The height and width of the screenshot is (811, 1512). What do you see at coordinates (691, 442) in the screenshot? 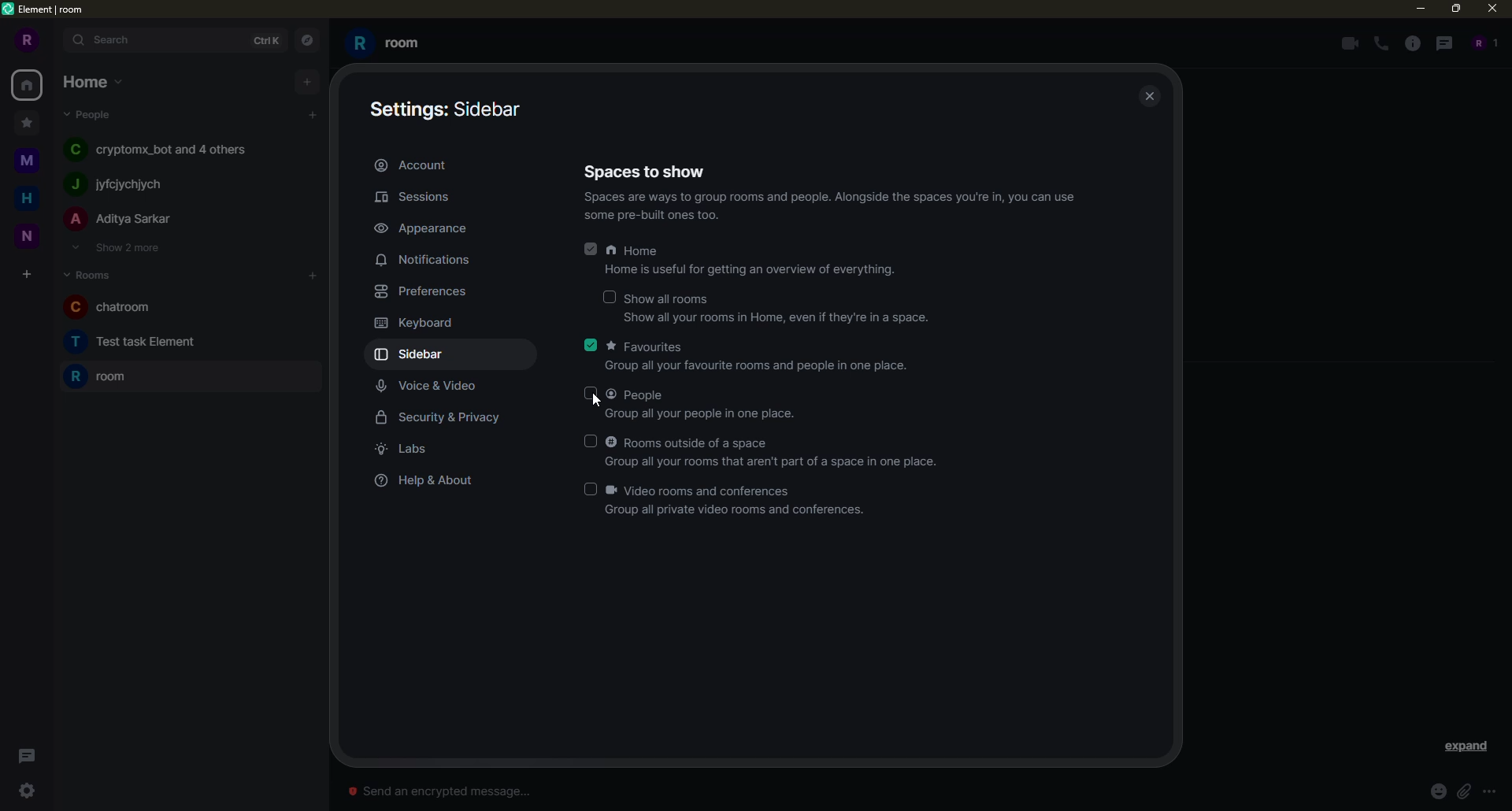
I see `rooms outside of space` at bounding box center [691, 442].